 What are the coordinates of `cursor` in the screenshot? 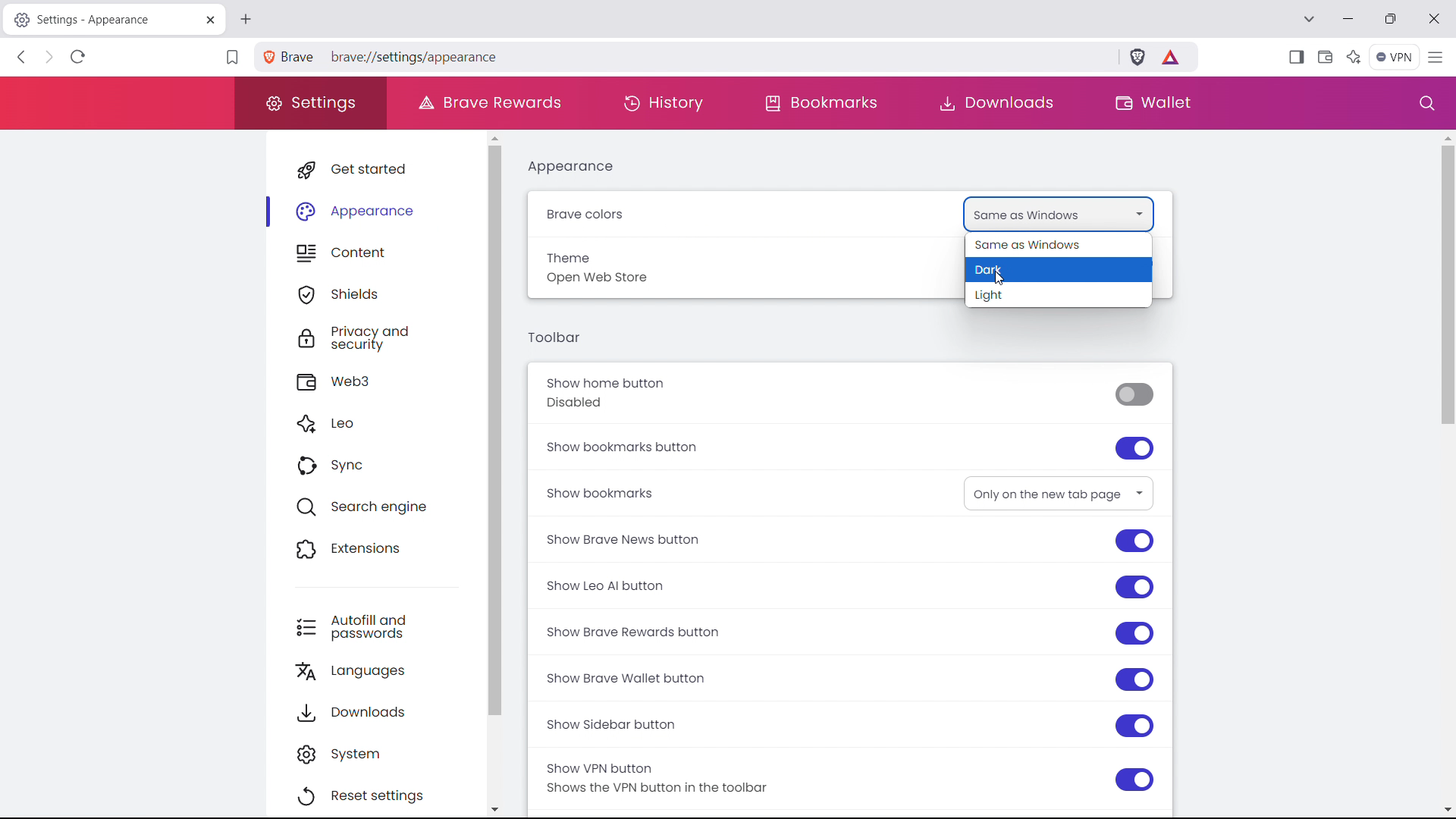 It's located at (991, 281).